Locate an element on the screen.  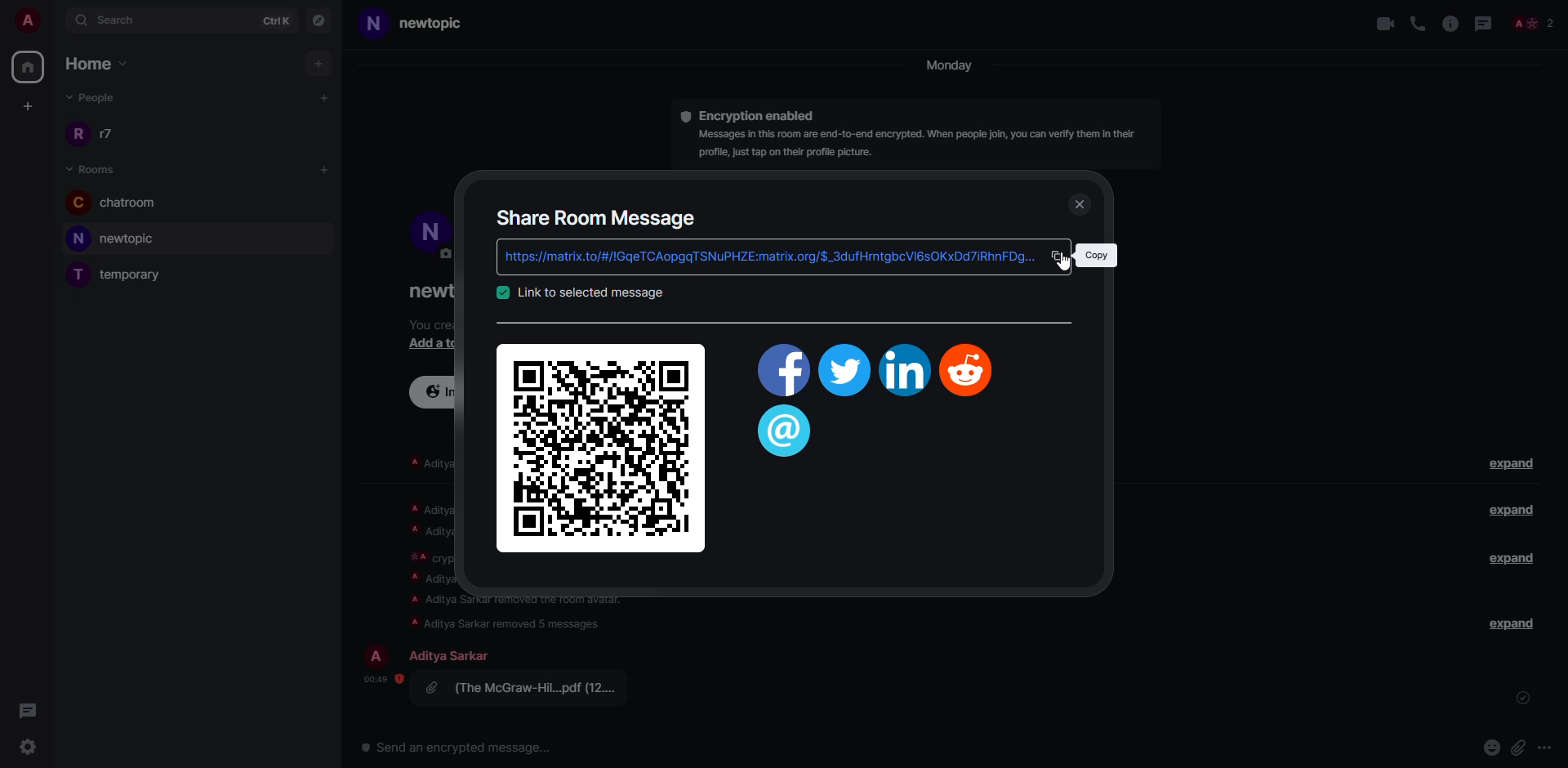
close is located at coordinates (1083, 205).